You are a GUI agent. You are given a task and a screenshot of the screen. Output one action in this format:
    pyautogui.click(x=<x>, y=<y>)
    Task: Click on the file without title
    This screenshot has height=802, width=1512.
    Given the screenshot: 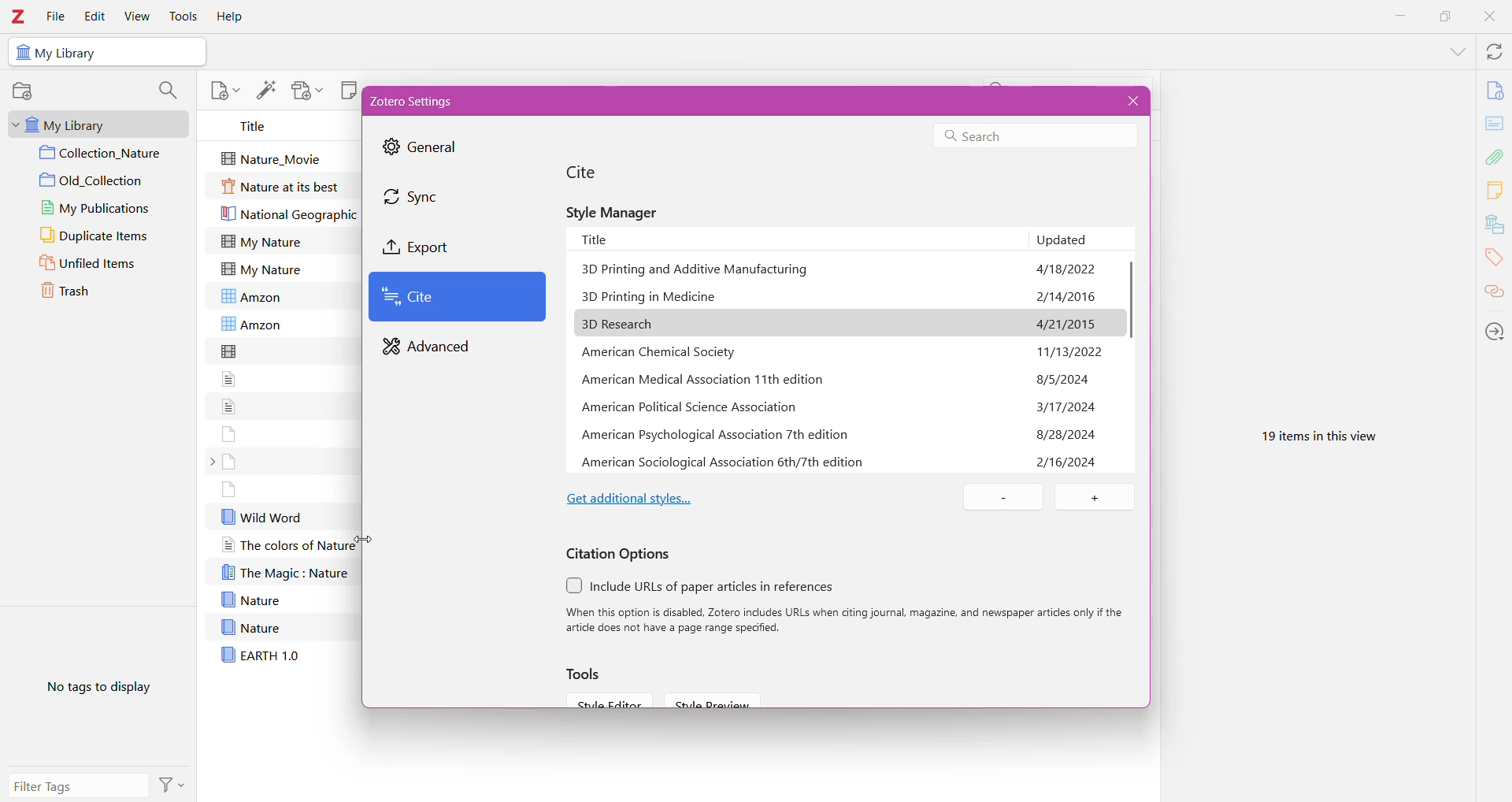 What is the action you would take?
    pyautogui.click(x=230, y=462)
    